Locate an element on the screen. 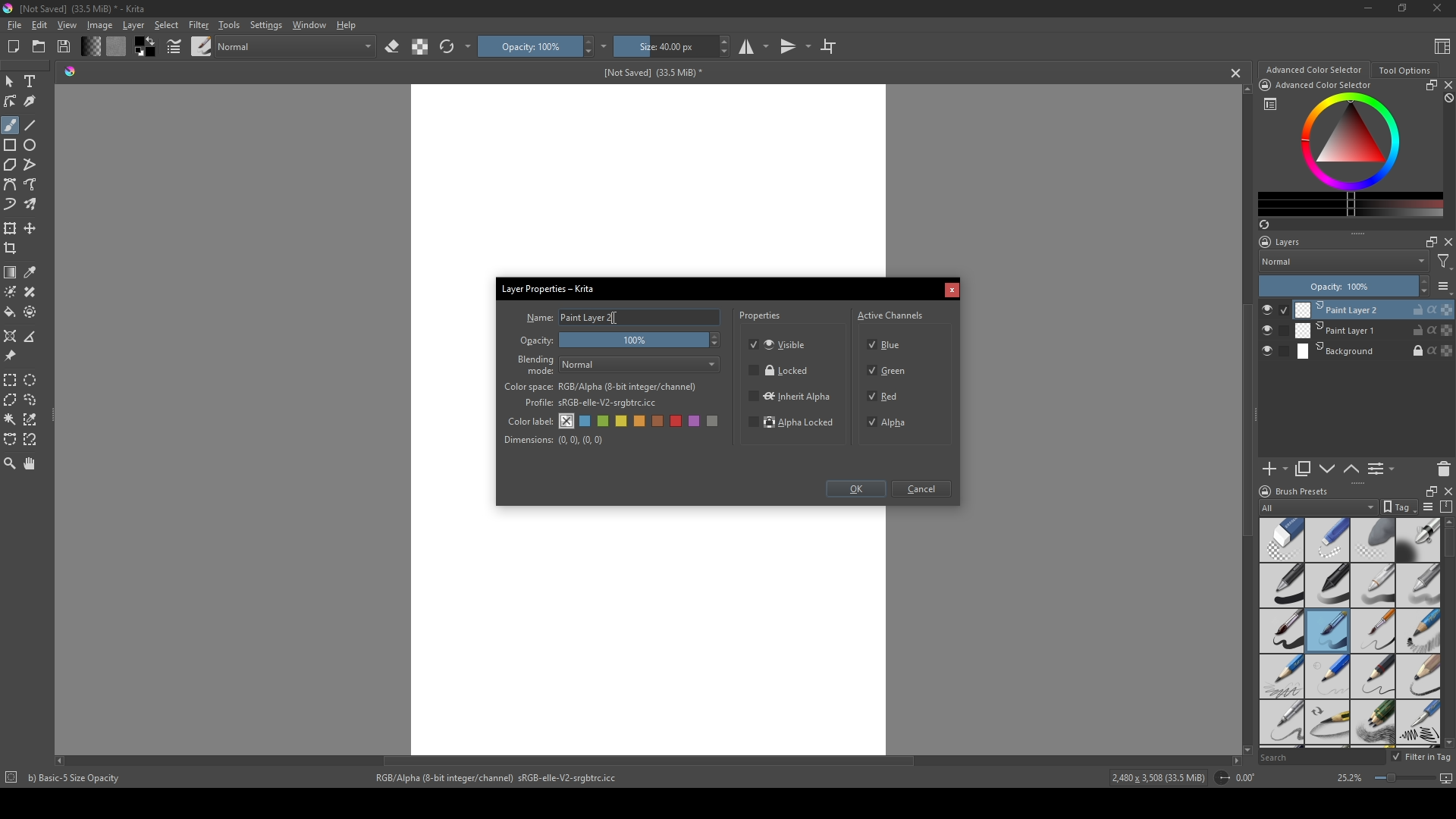  similar color is located at coordinates (33, 419).